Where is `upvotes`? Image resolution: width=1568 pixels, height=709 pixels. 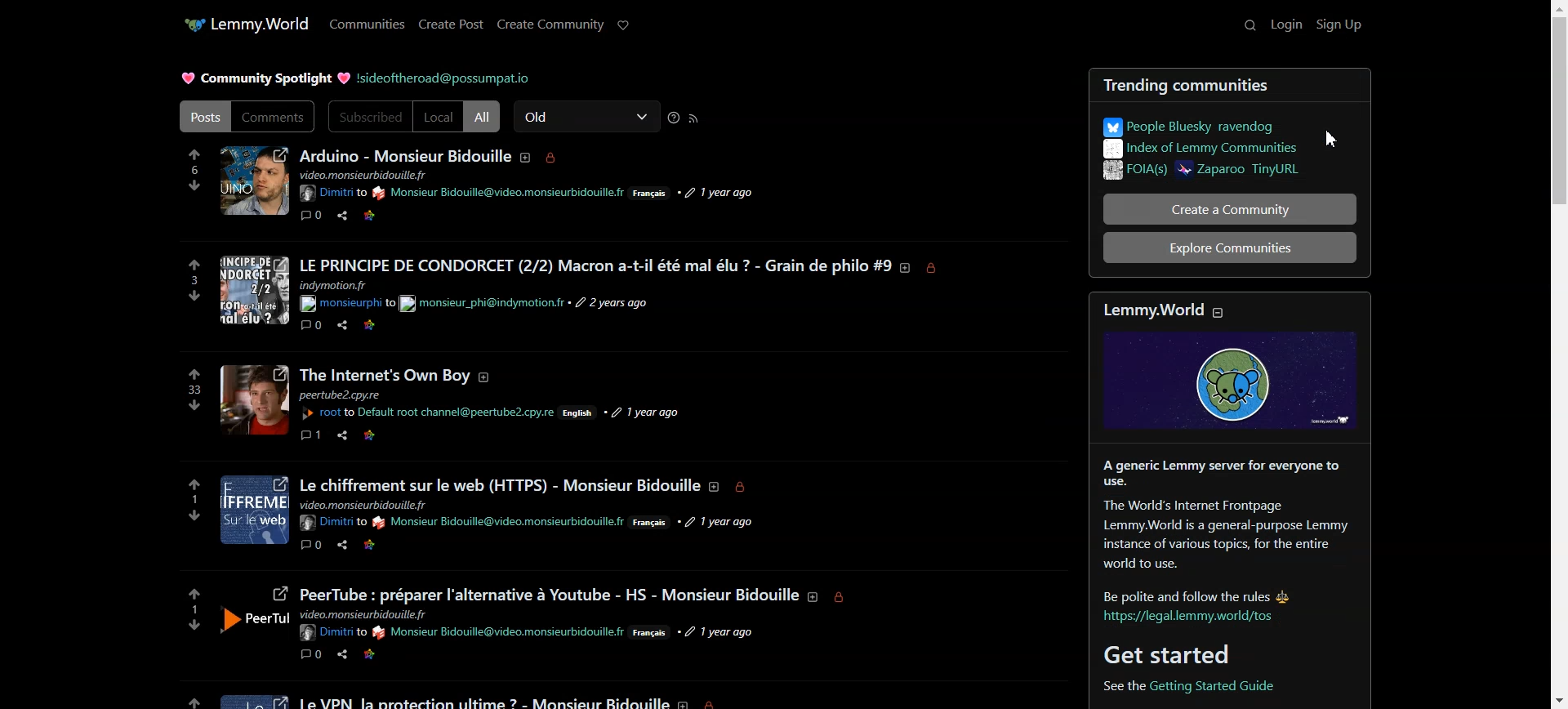
upvotes is located at coordinates (191, 481).